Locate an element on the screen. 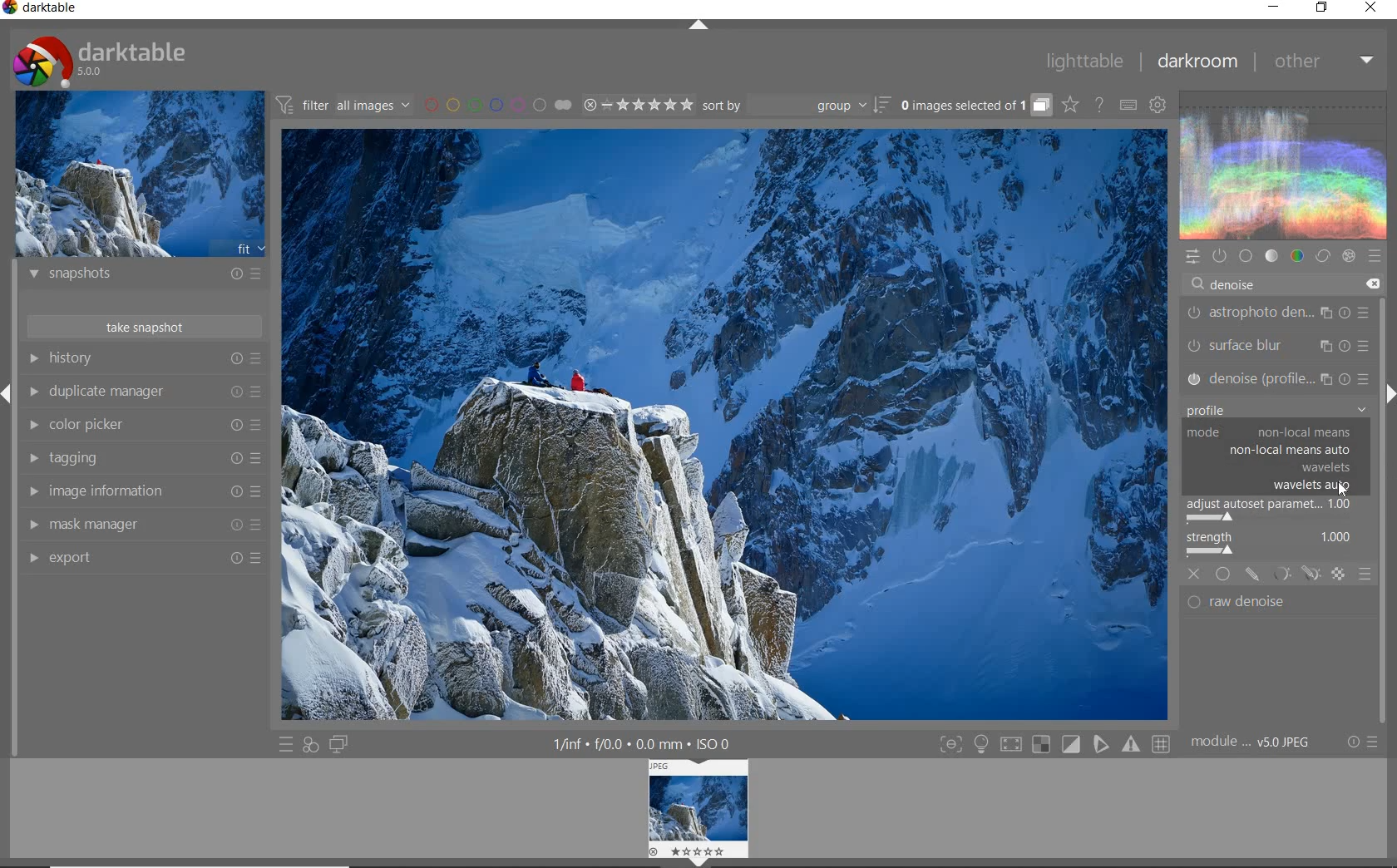 The height and width of the screenshot is (868, 1397). OFF is located at coordinates (1194, 575).